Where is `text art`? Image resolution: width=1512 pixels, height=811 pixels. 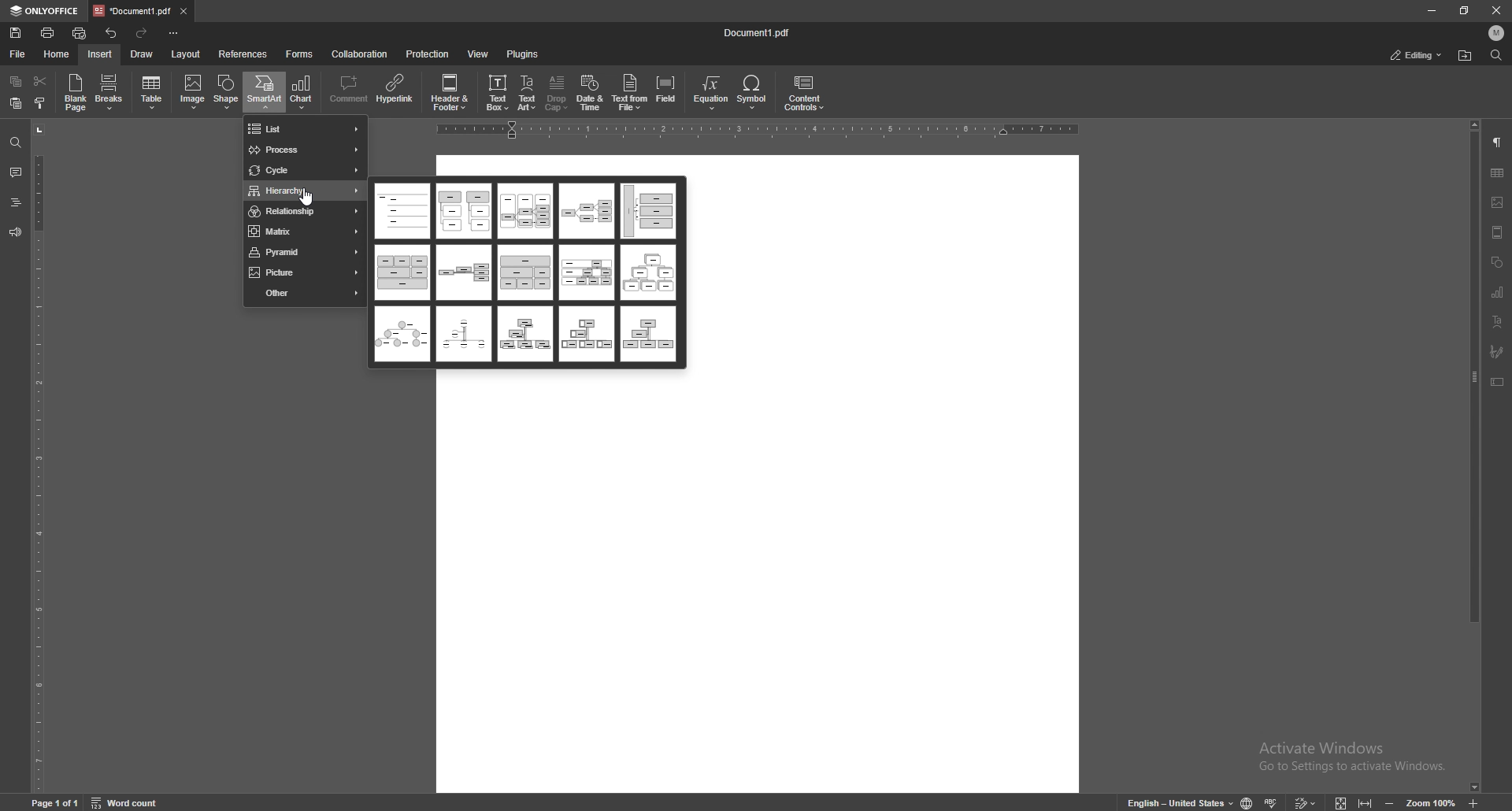 text art is located at coordinates (1498, 320).